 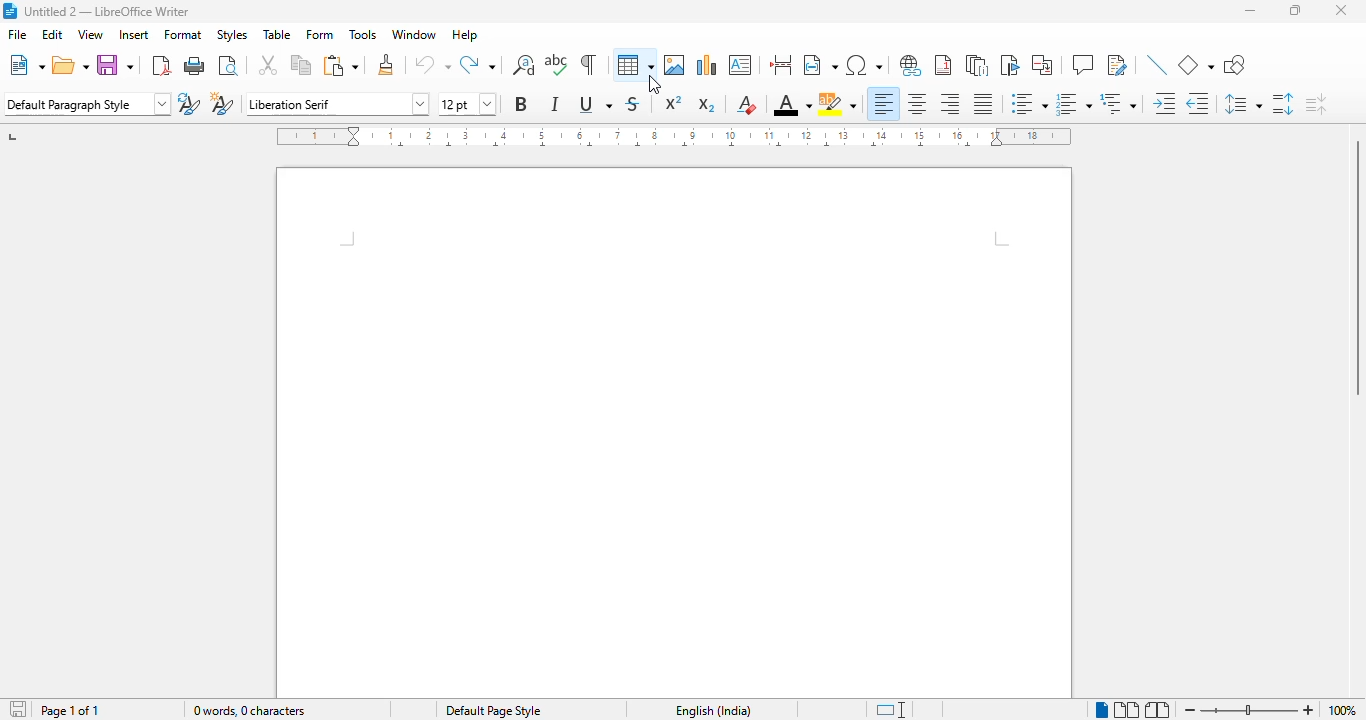 What do you see at coordinates (522, 104) in the screenshot?
I see `bold` at bounding box center [522, 104].